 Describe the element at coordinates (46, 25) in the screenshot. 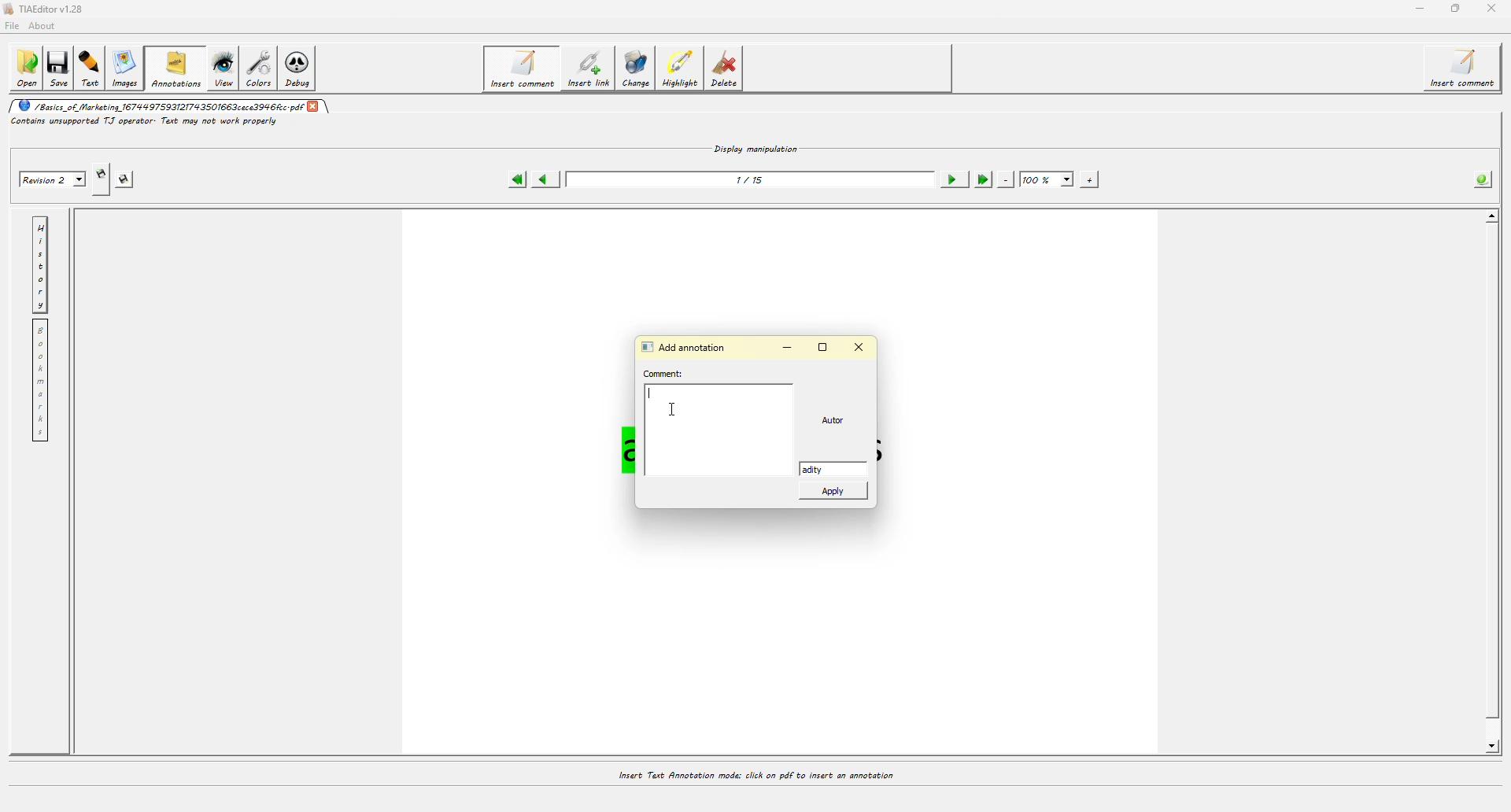

I see `about` at that location.